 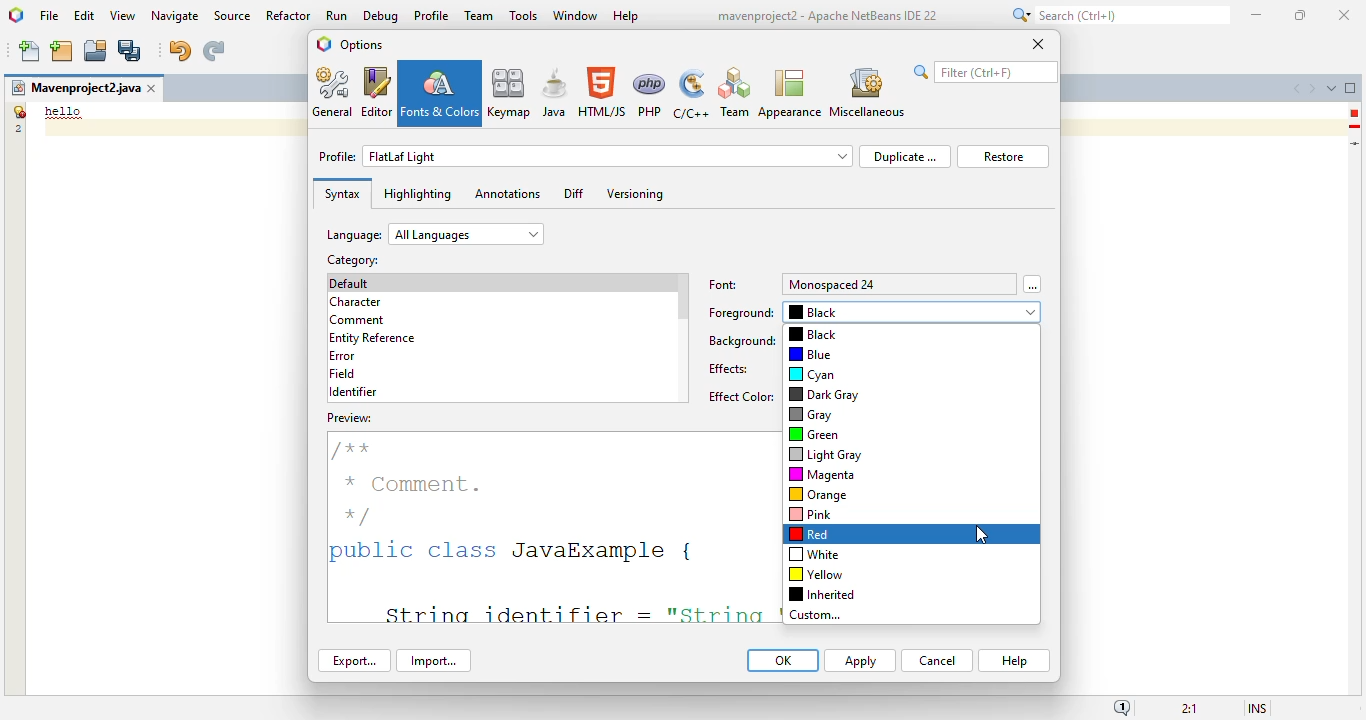 What do you see at coordinates (1032, 284) in the screenshot?
I see `font chooser` at bounding box center [1032, 284].